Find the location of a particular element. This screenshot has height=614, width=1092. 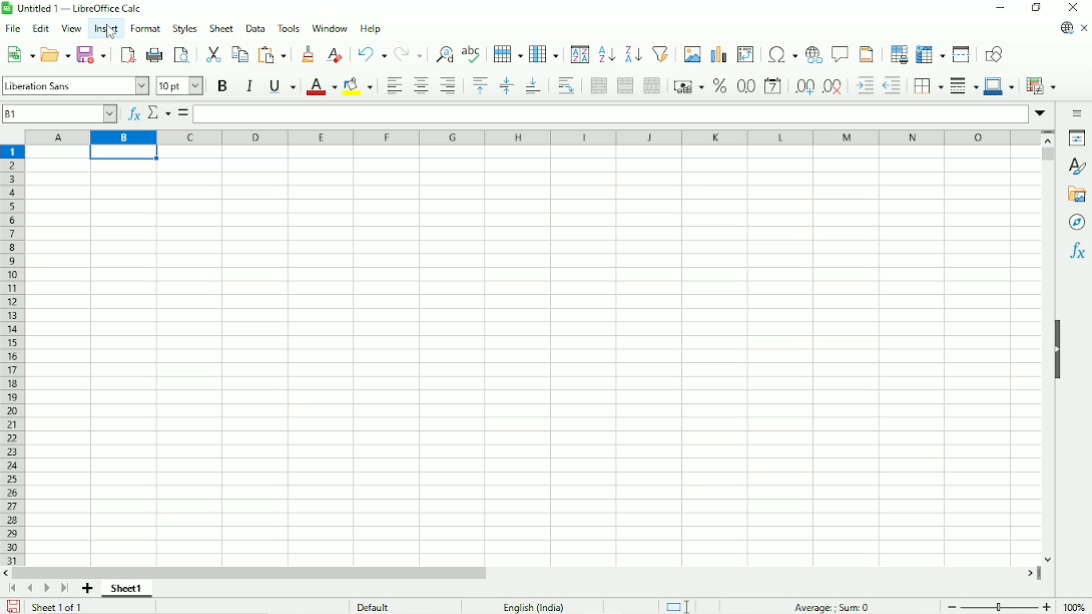

Data is located at coordinates (254, 27).